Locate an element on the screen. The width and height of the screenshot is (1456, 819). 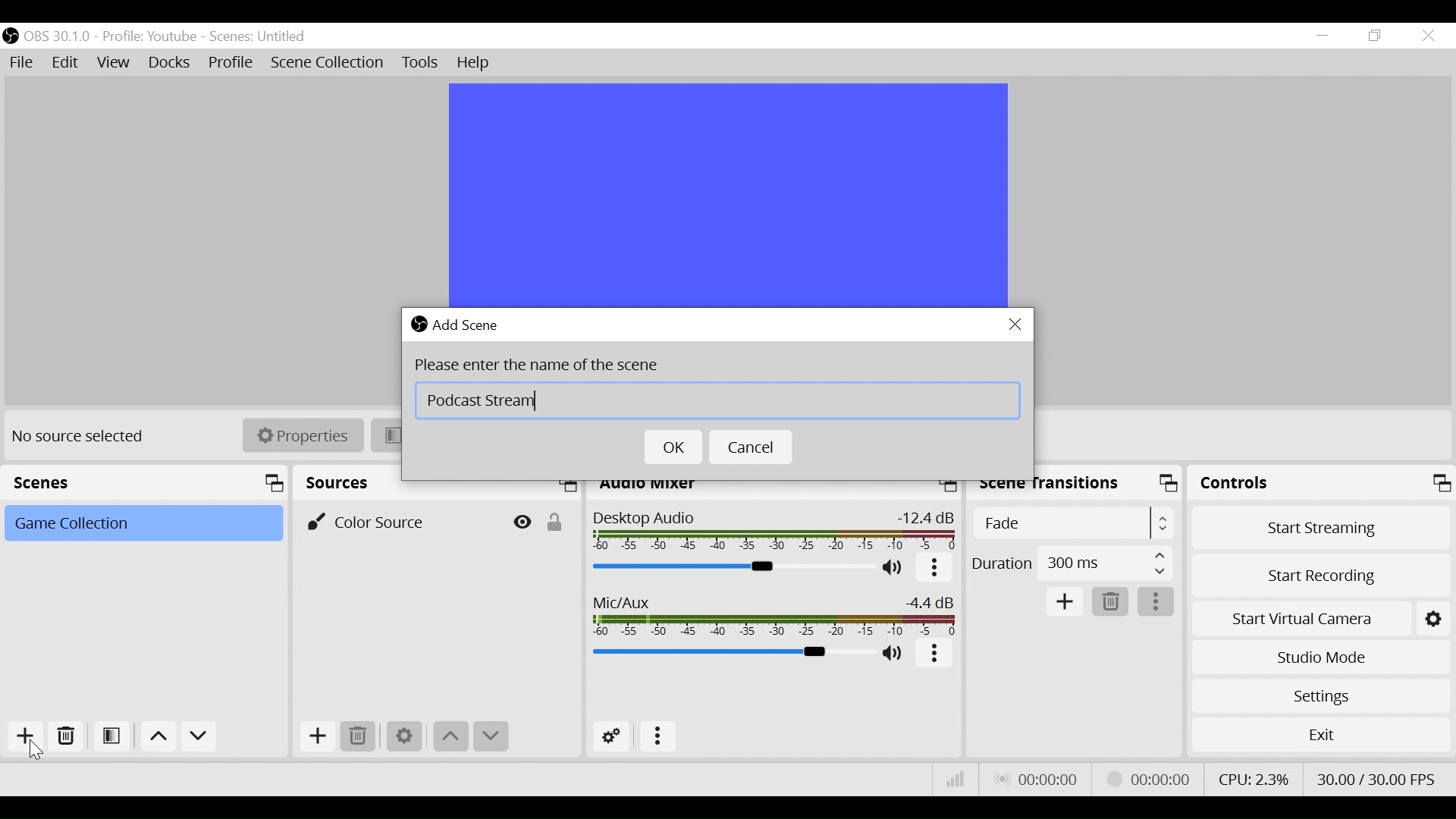
Desktop Audio Slider is located at coordinates (735, 567).